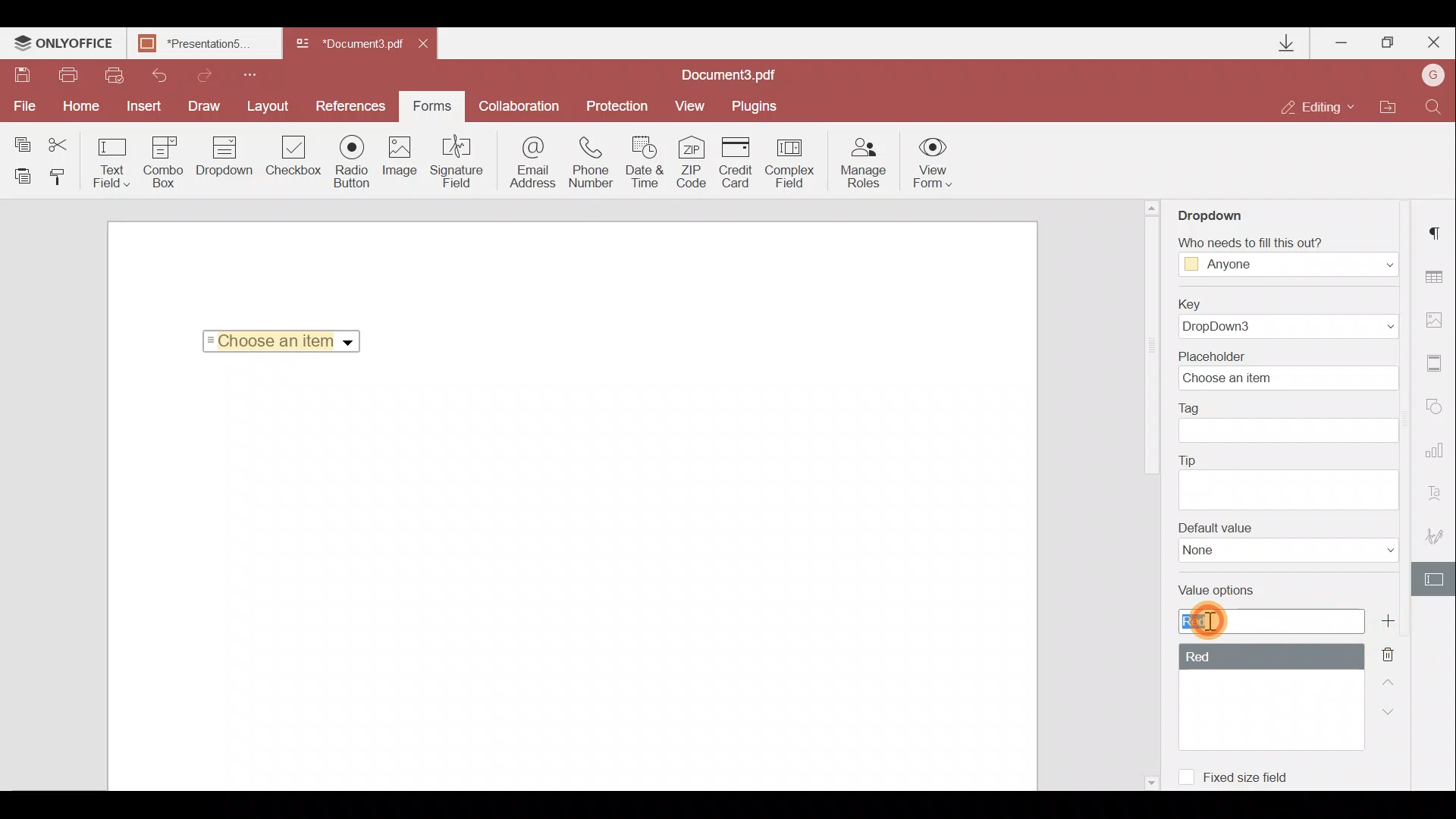 This screenshot has width=1456, height=819. What do you see at coordinates (1285, 370) in the screenshot?
I see `Placeholder` at bounding box center [1285, 370].